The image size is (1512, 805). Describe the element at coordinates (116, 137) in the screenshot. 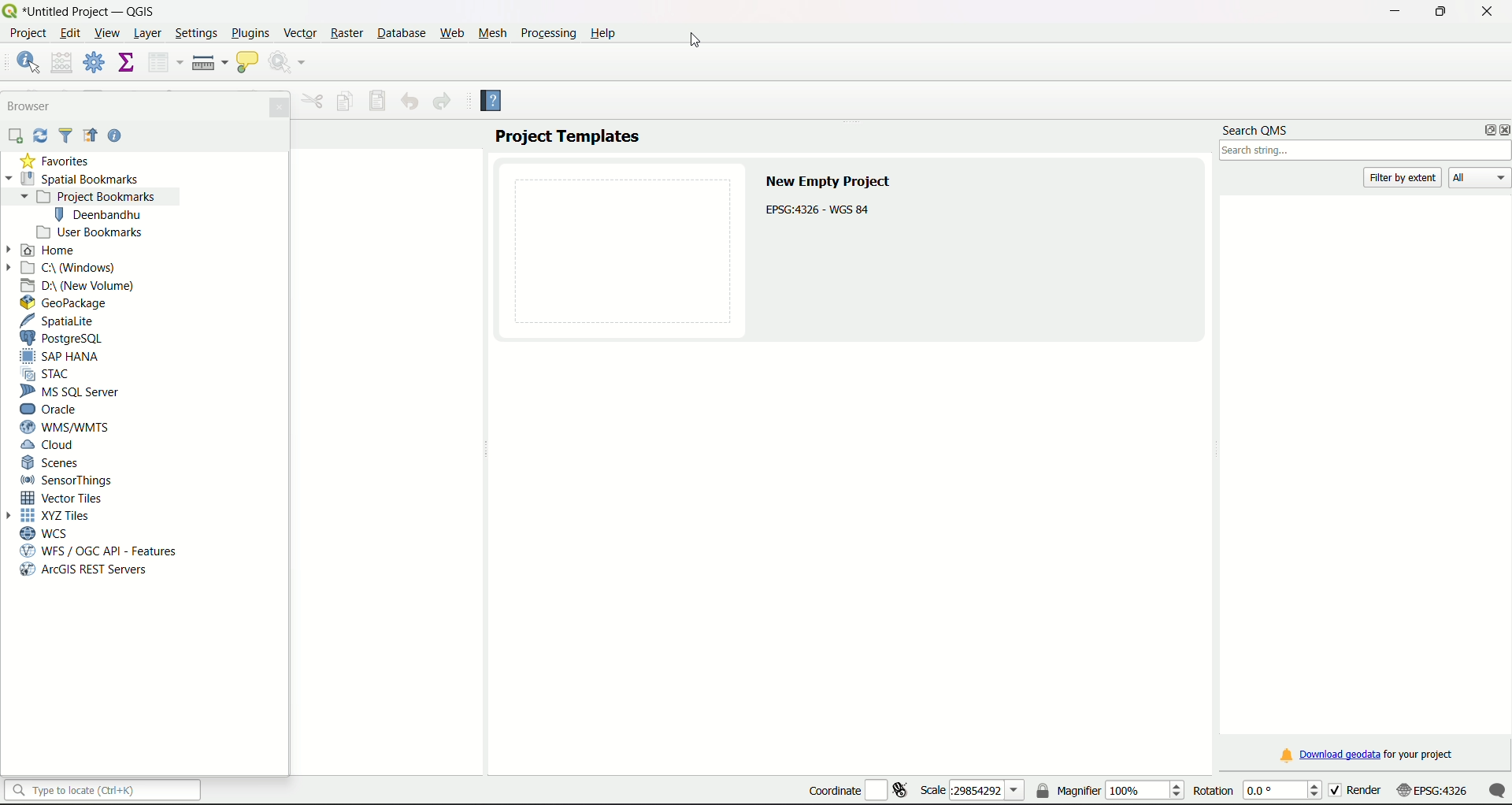

I see `Help` at that location.